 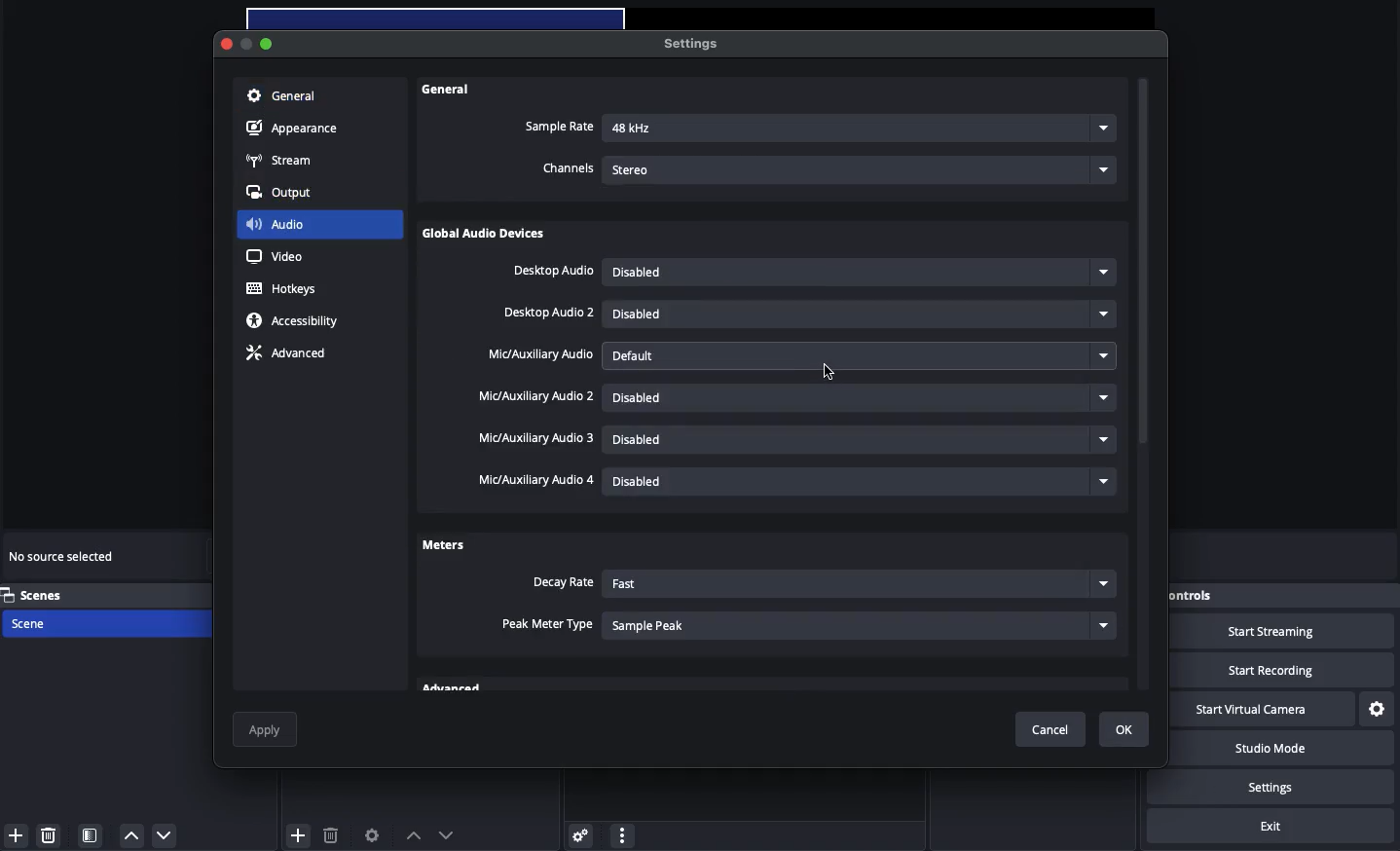 I want to click on No source selected, so click(x=63, y=559).